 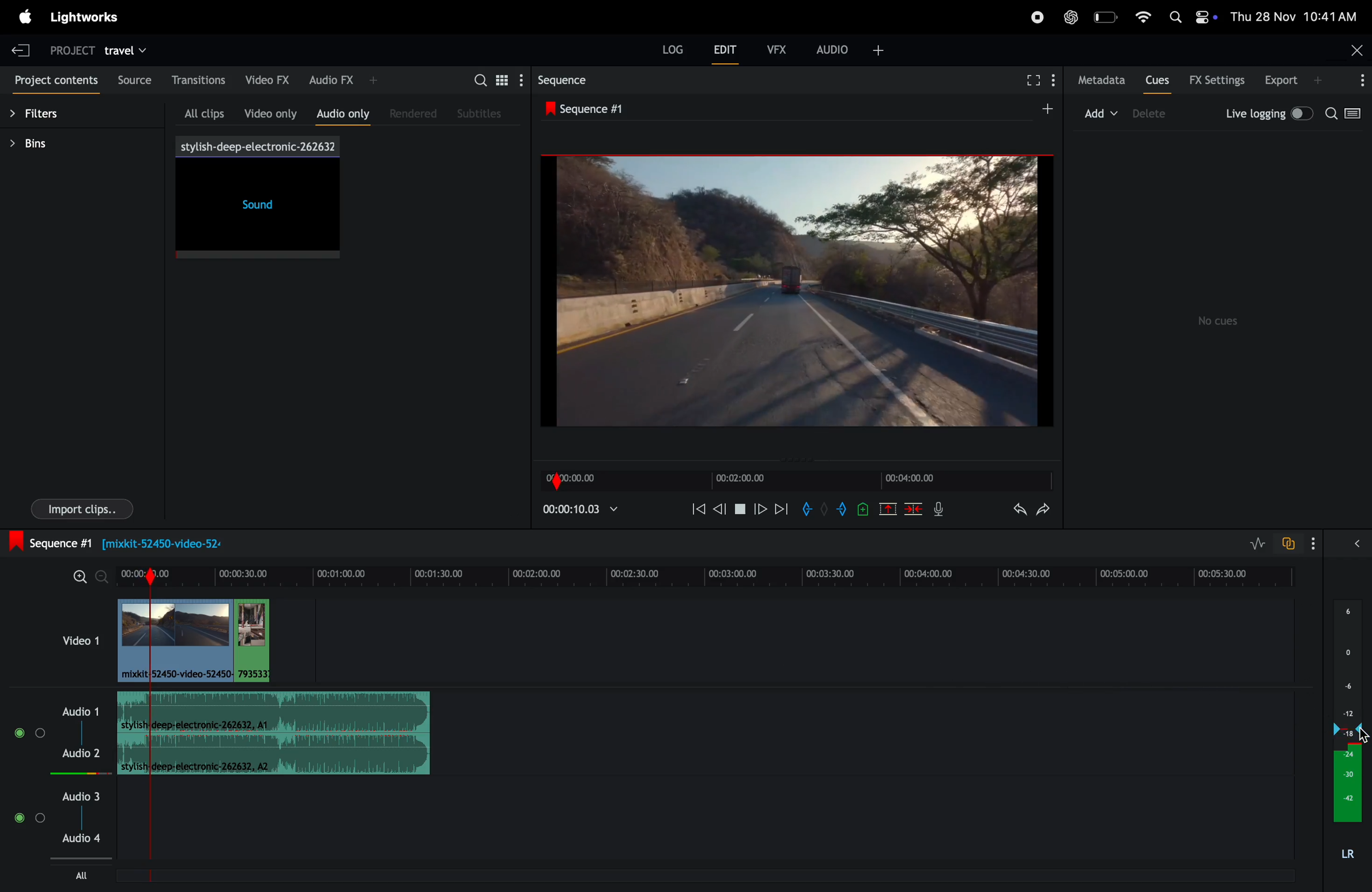 I want to click on imports, so click(x=81, y=508).